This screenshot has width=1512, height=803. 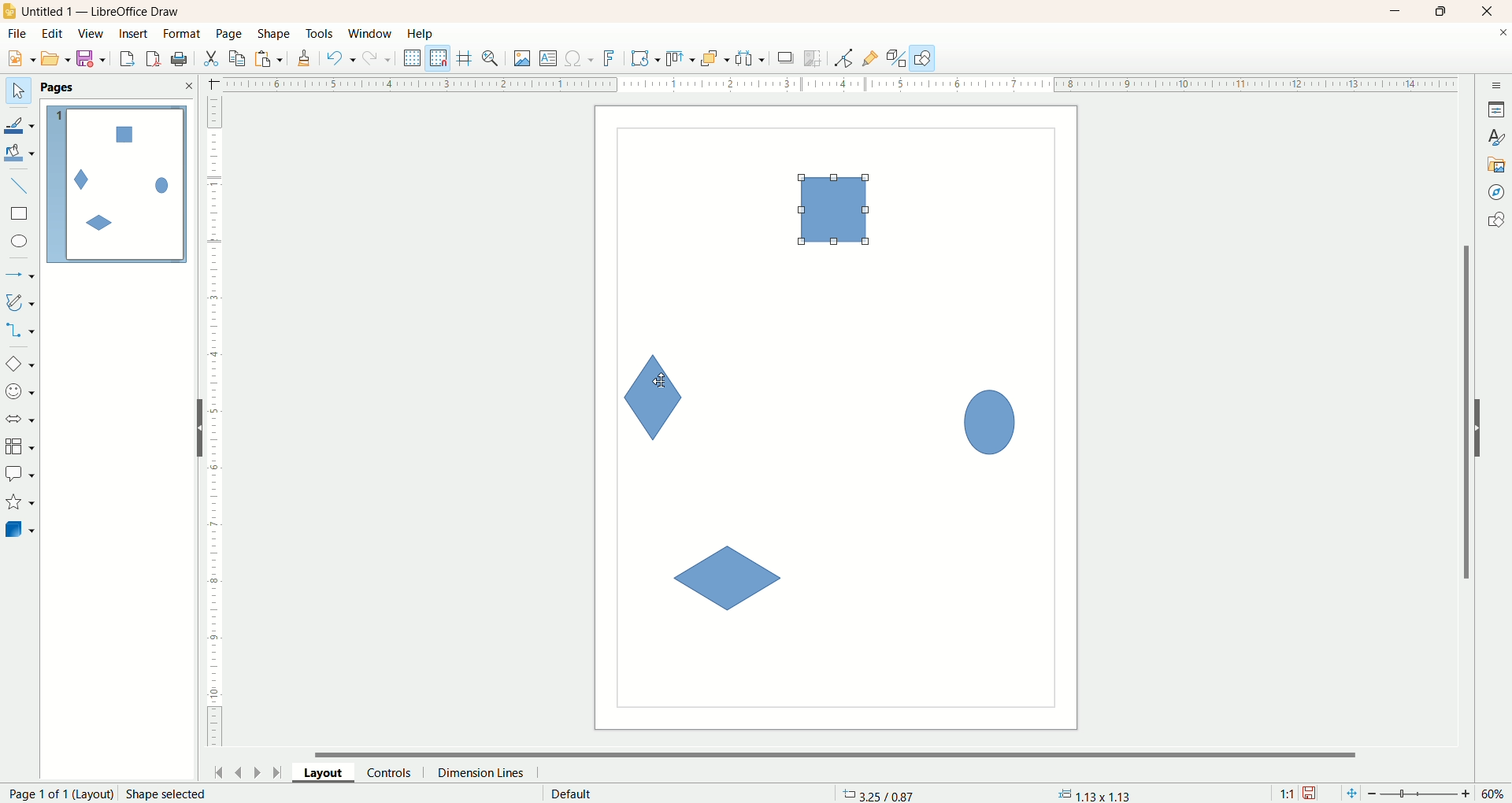 I want to click on new, so click(x=18, y=59).